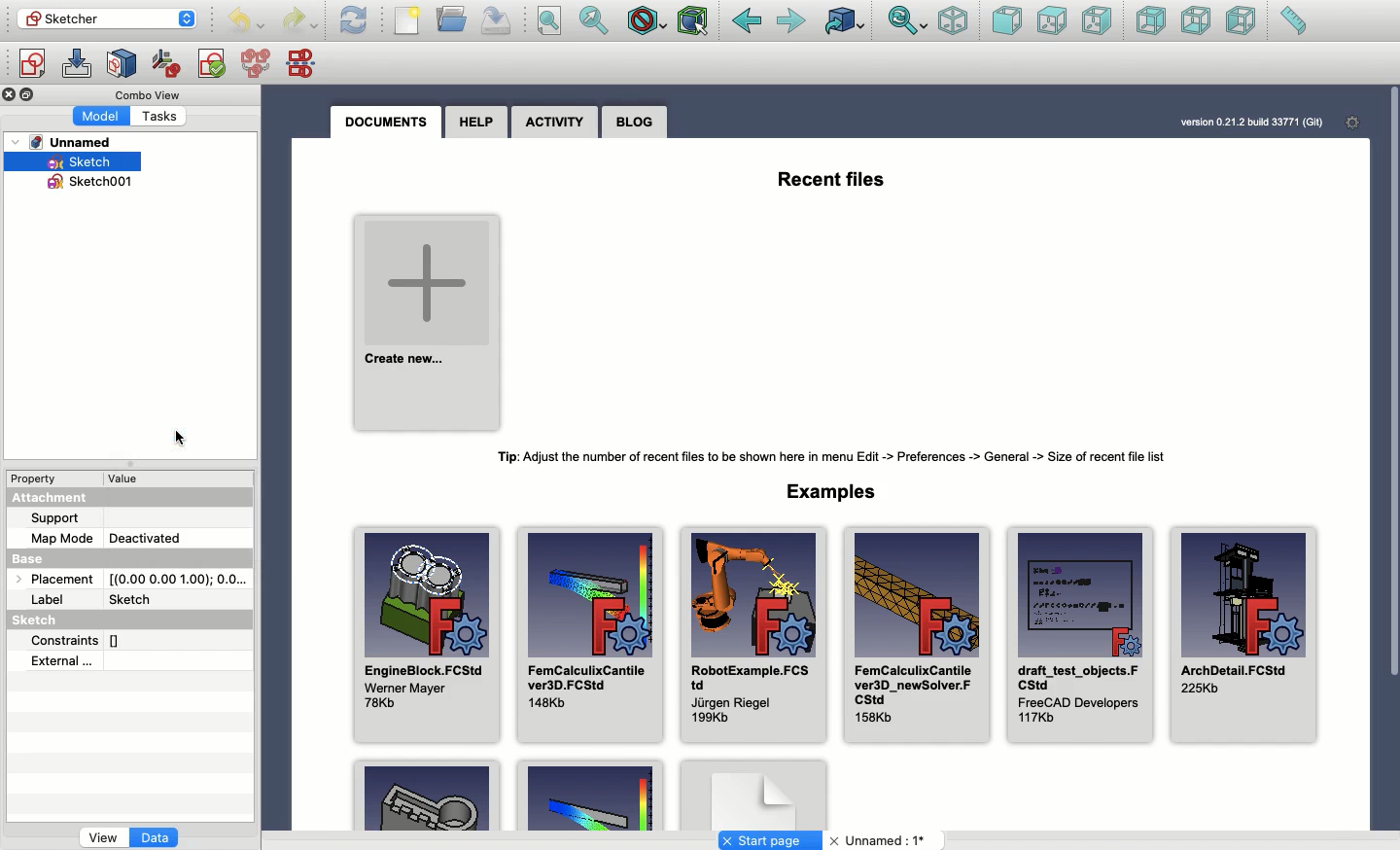 The width and height of the screenshot is (1400, 850). I want to click on Scroll, so click(1391, 438).